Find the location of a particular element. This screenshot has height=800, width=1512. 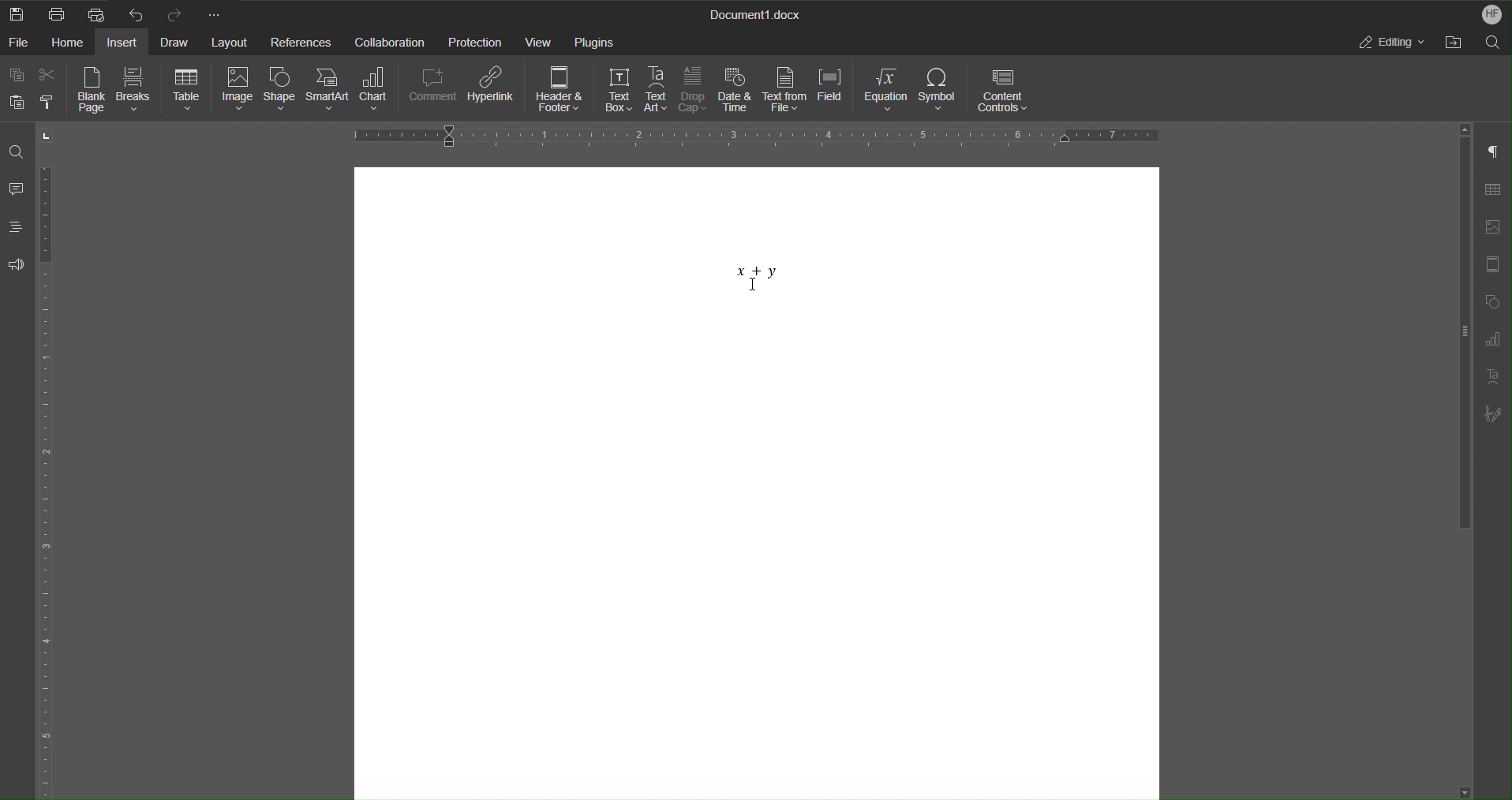

Draw is located at coordinates (174, 43).